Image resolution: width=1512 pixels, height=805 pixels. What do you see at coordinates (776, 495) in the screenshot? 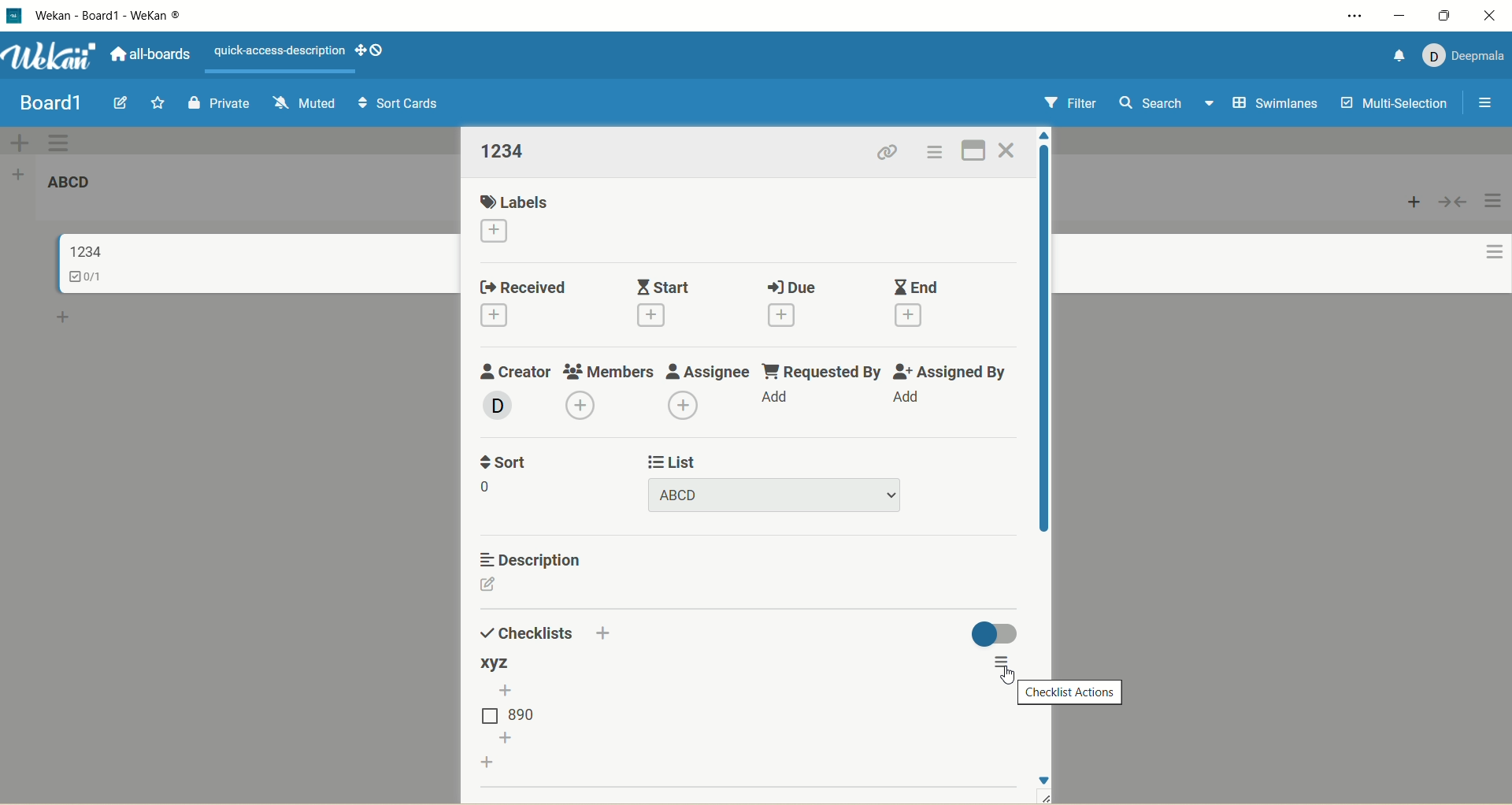
I see `ABCD` at bounding box center [776, 495].